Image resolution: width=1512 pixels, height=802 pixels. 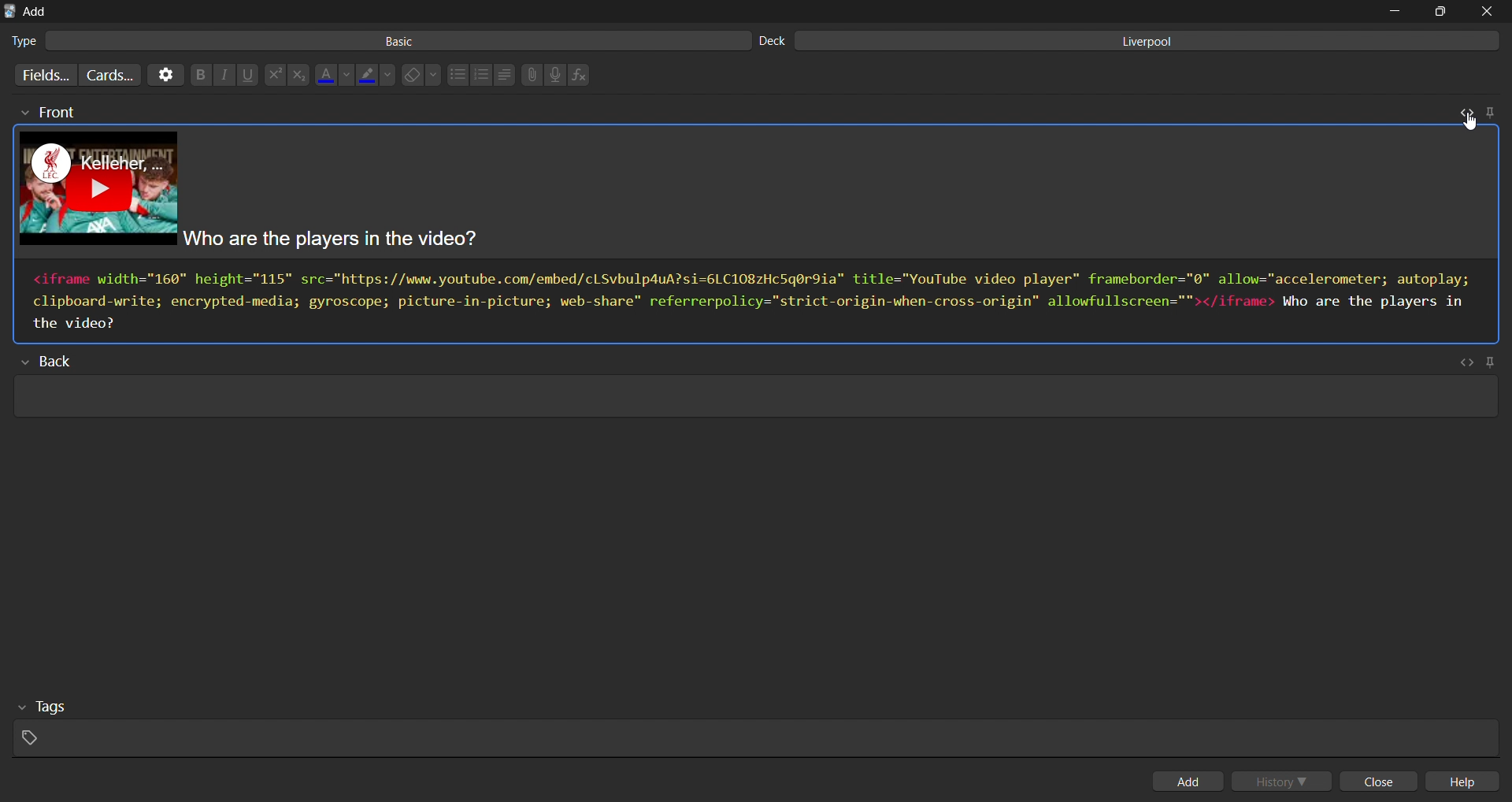 What do you see at coordinates (1466, 362) in the screenshot?
I see `toggle html editor` at bounding box center [1466, 362].